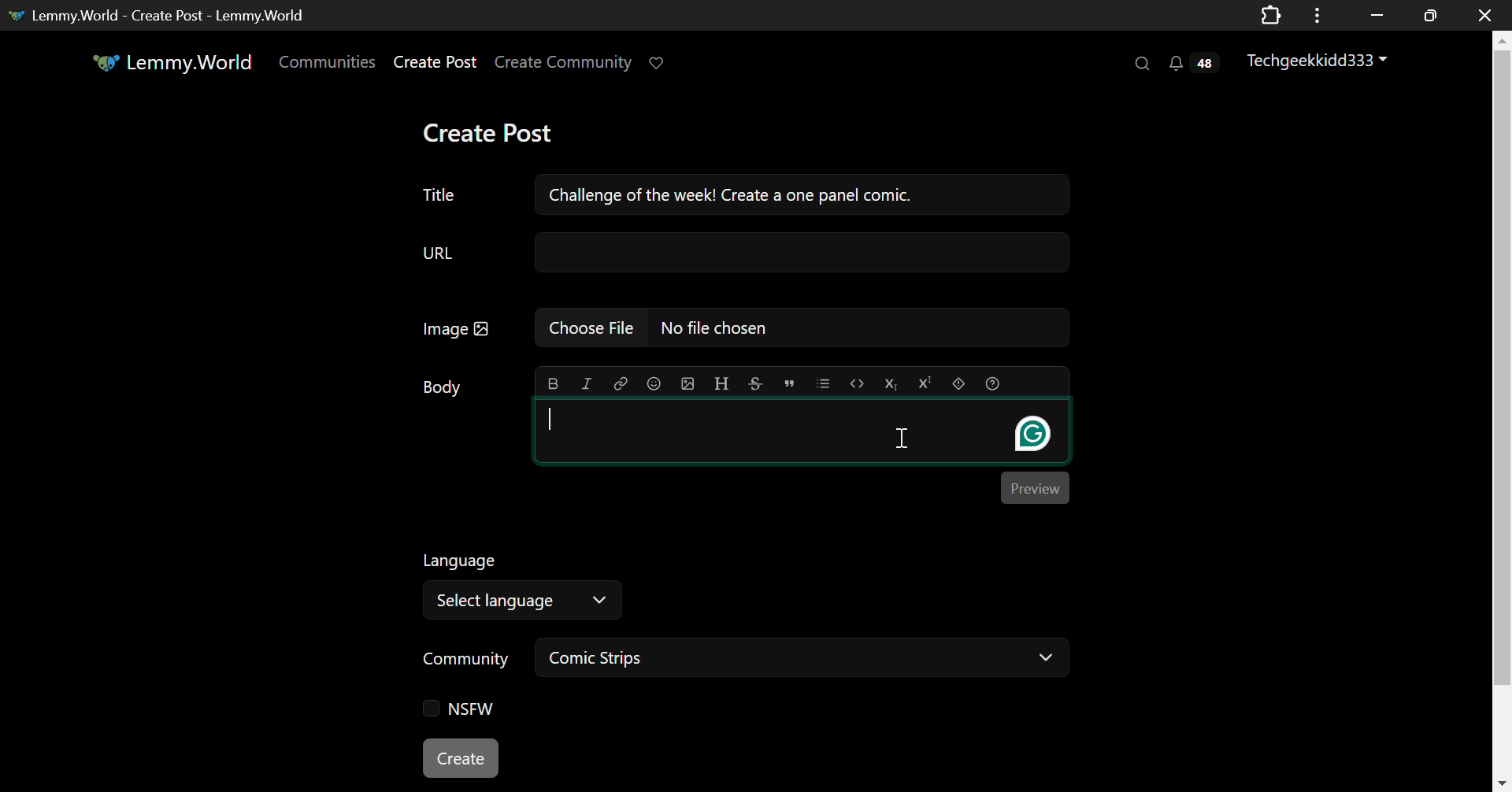  I want to click on Create, so click(464, 759).